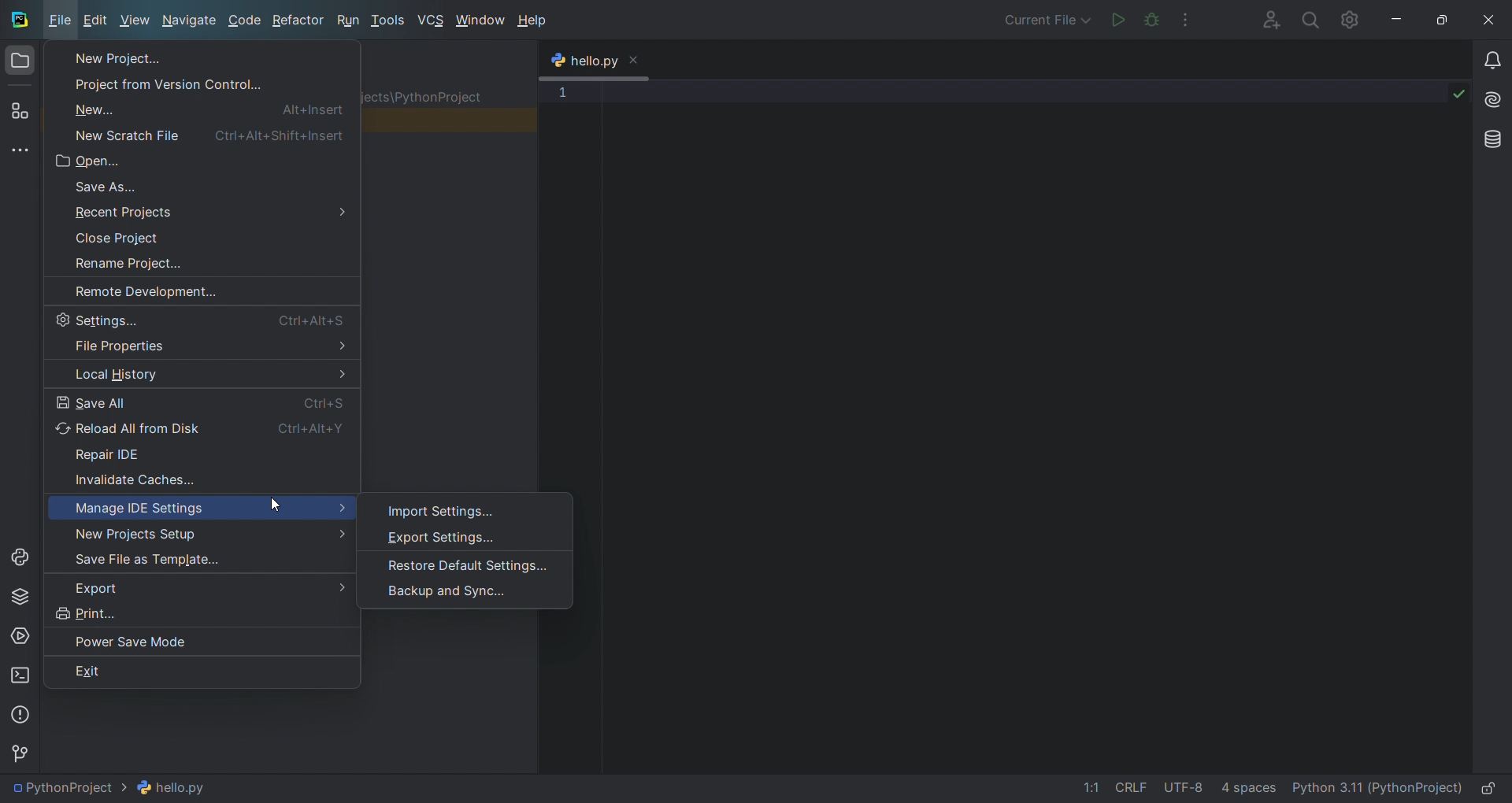 Image resolution: width=1512 pixels, height=803 pixels. What do you see at coordinates (27, 757) in the screenshot?
I see `version control` at bounding box center [27, 757].